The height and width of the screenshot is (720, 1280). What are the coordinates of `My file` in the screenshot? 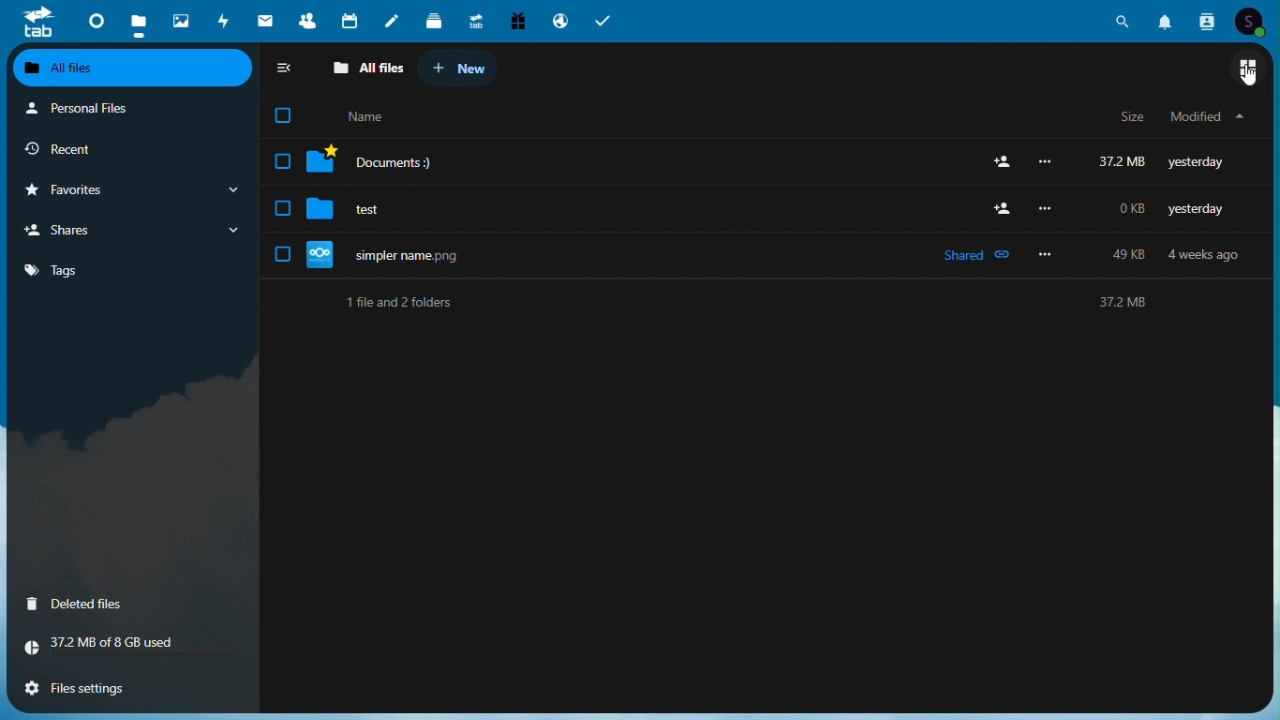 It's located at (1207, 120).